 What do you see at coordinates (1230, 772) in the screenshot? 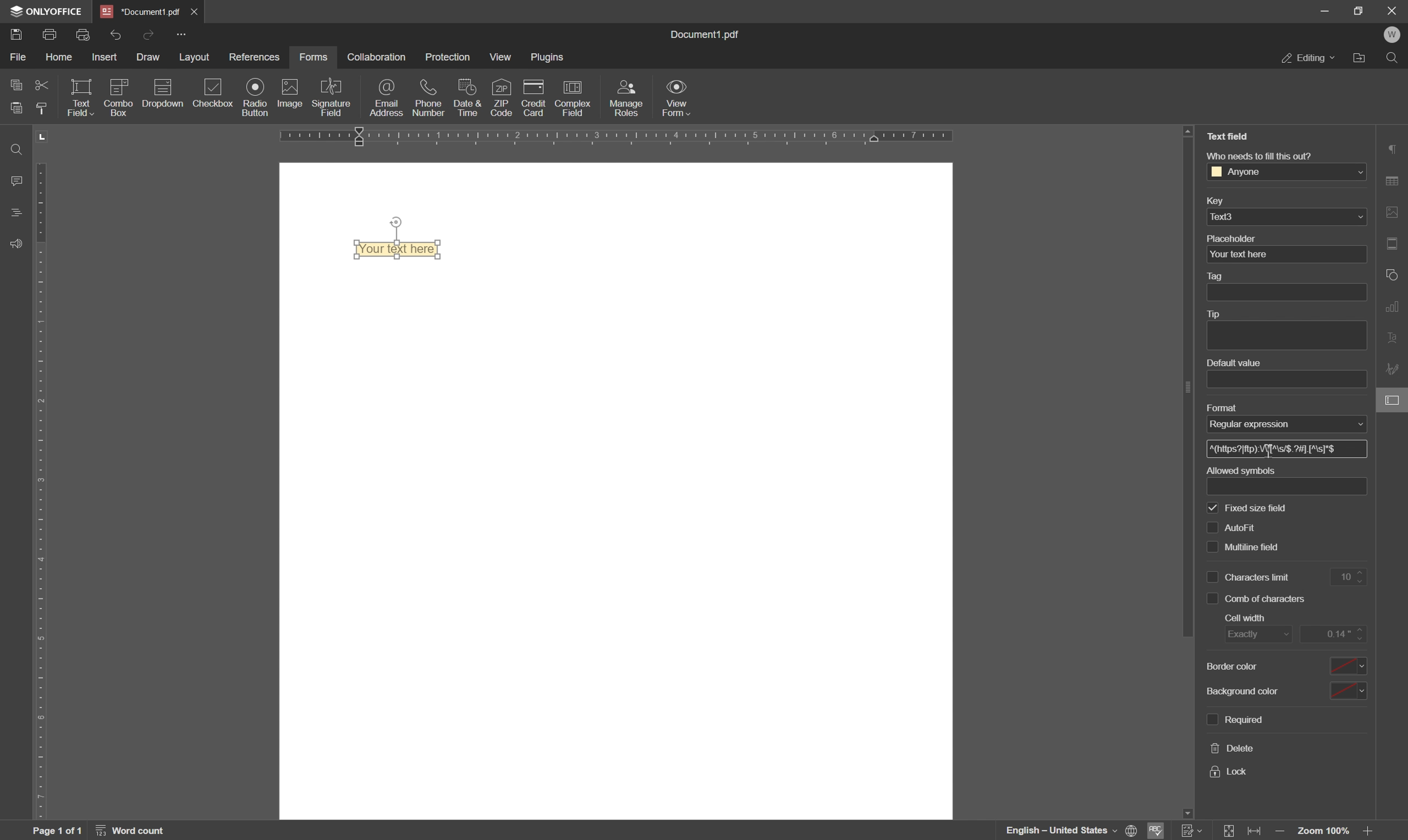
I see `lock` at bounding box center [1230, 772].